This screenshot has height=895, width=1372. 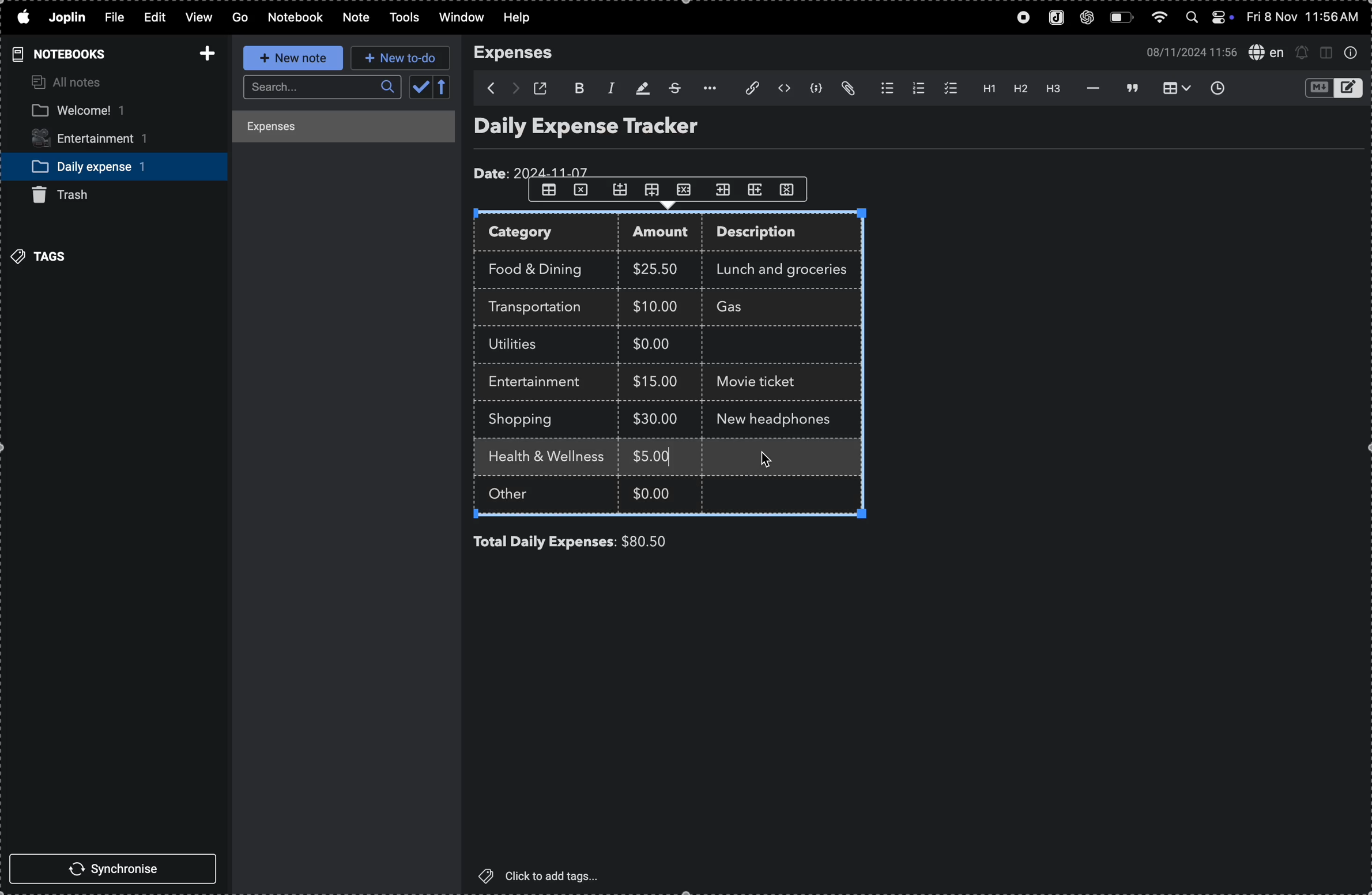 I want to click on expenses, so click(x=333, y=129).